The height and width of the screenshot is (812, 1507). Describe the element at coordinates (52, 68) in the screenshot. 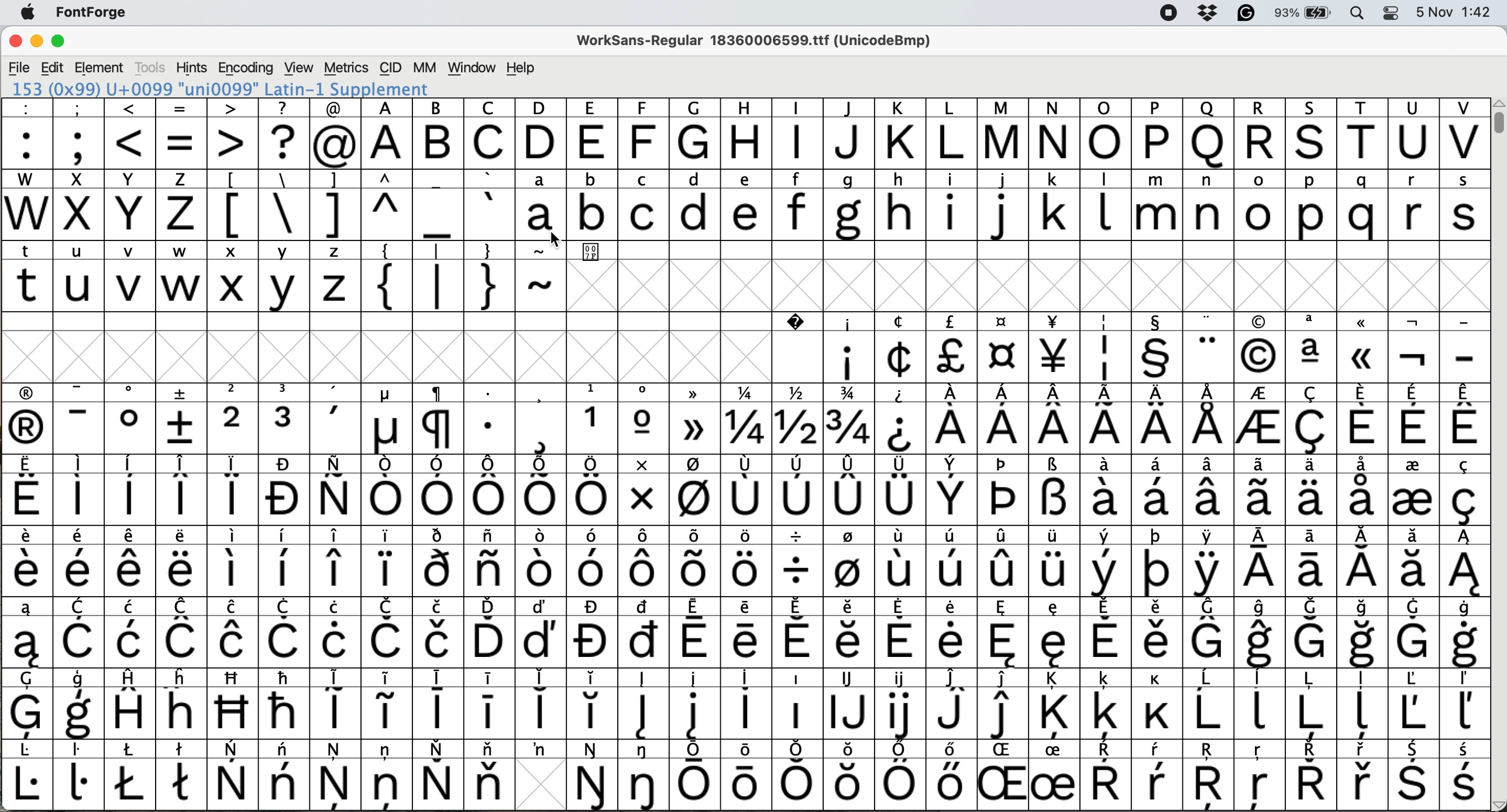

I see `edit` at that location.